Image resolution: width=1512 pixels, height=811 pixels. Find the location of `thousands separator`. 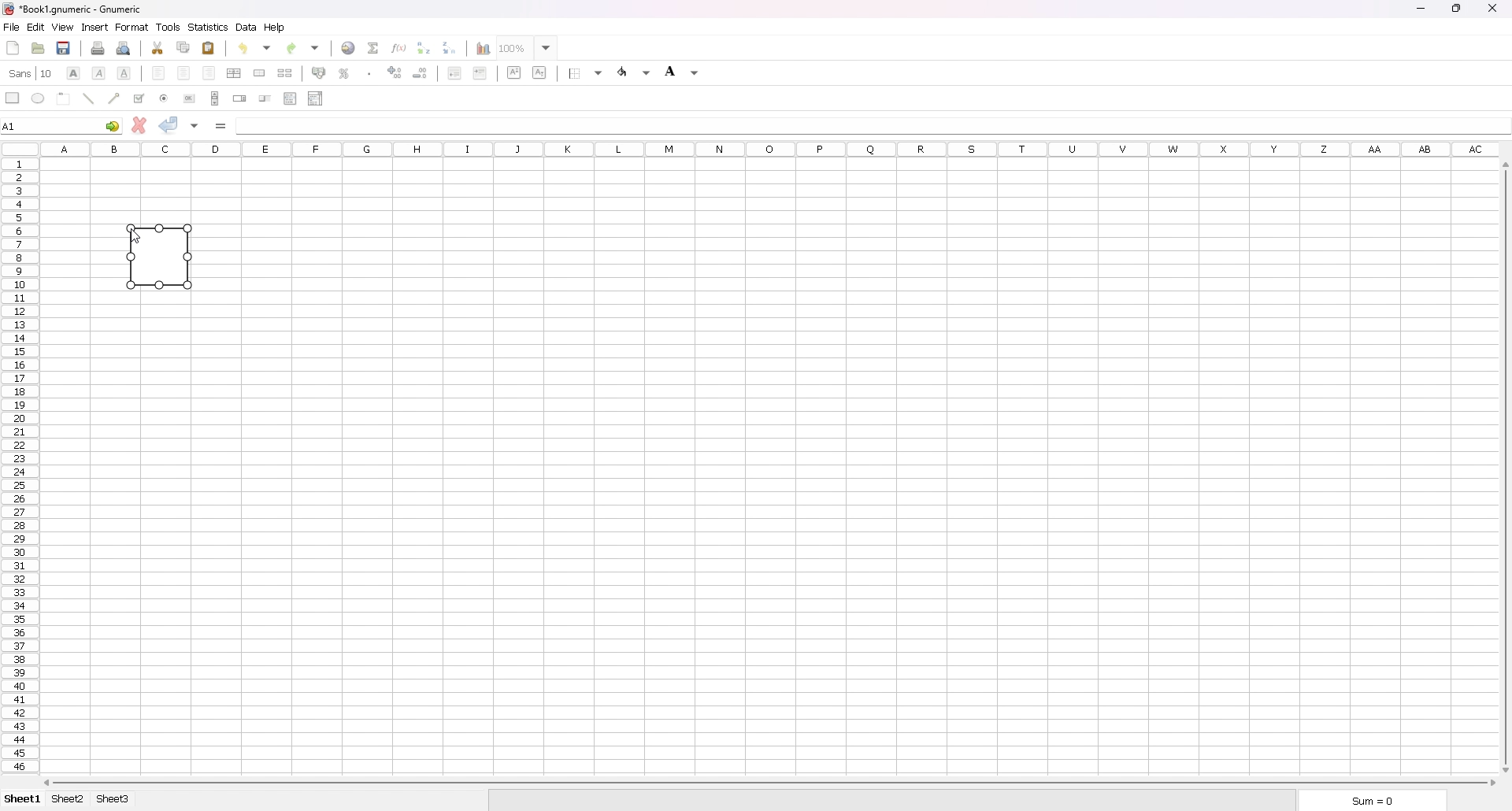

thousands separator is located at coordinates (370, 72).